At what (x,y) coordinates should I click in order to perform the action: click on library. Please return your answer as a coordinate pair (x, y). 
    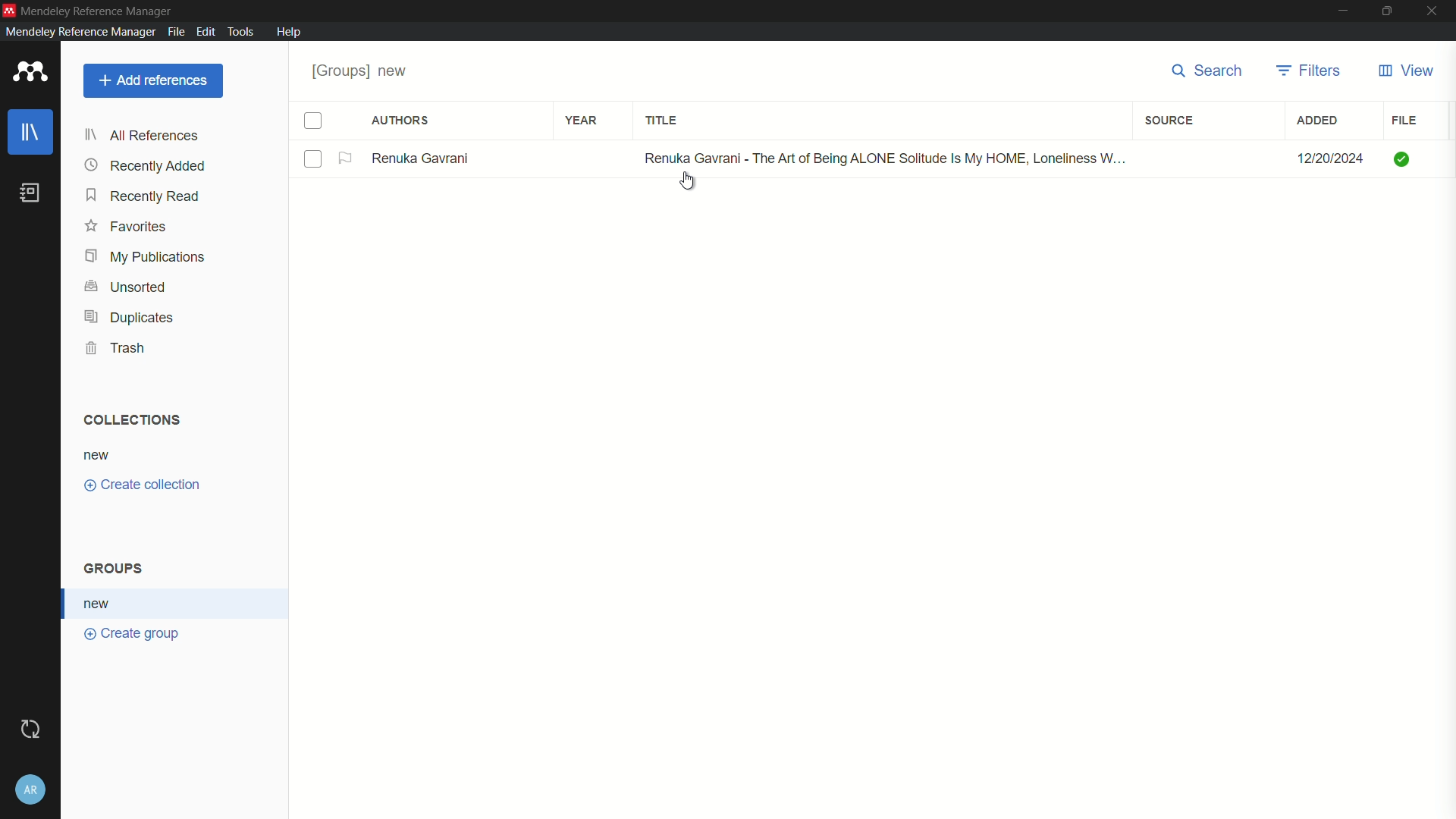
    Looking at the image, I should click on (30, 132).